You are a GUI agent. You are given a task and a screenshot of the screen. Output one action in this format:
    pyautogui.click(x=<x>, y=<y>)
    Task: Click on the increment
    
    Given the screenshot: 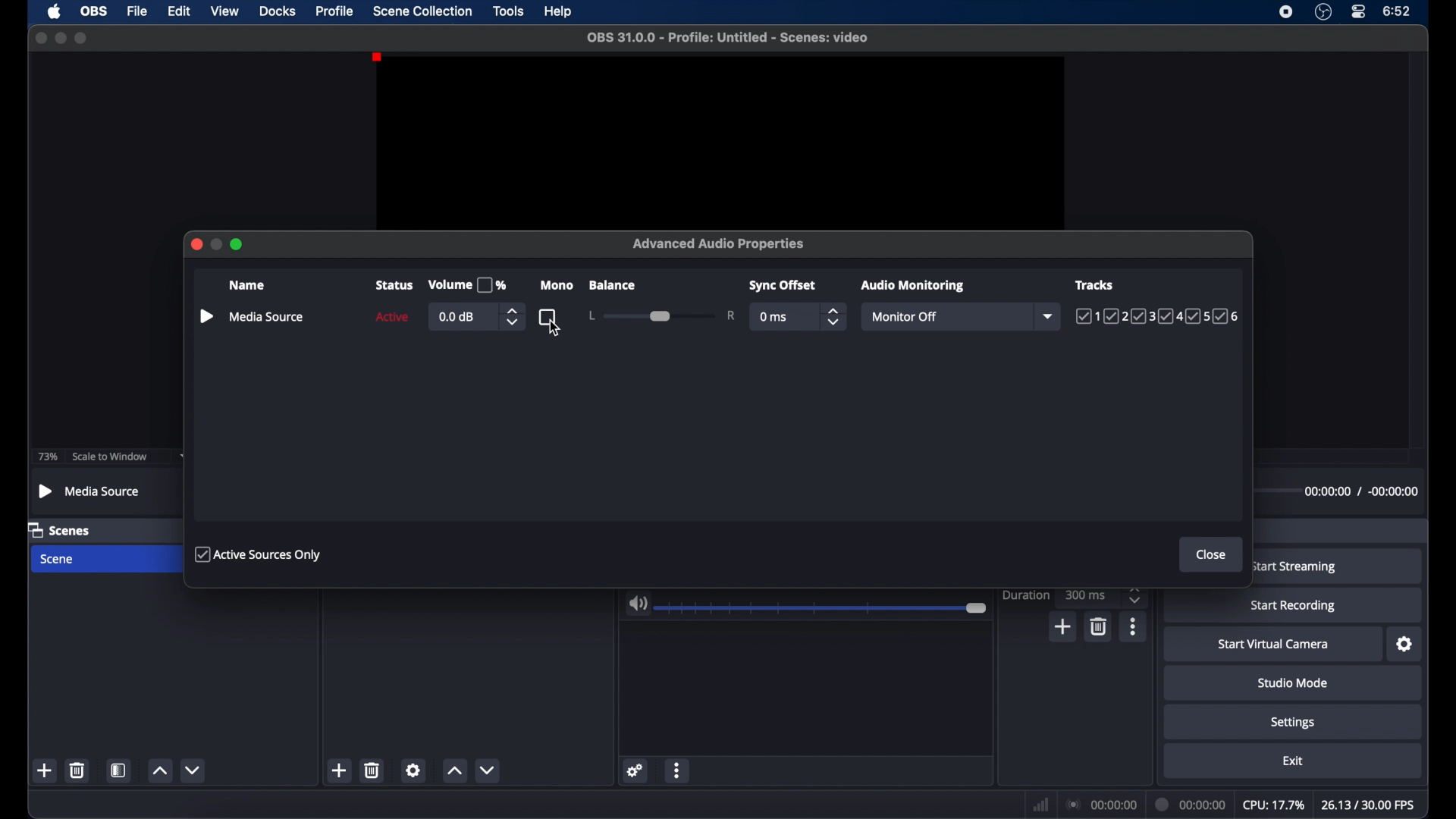 What is the action you would take?
    pyautogui.click(x=453, y=770)
    